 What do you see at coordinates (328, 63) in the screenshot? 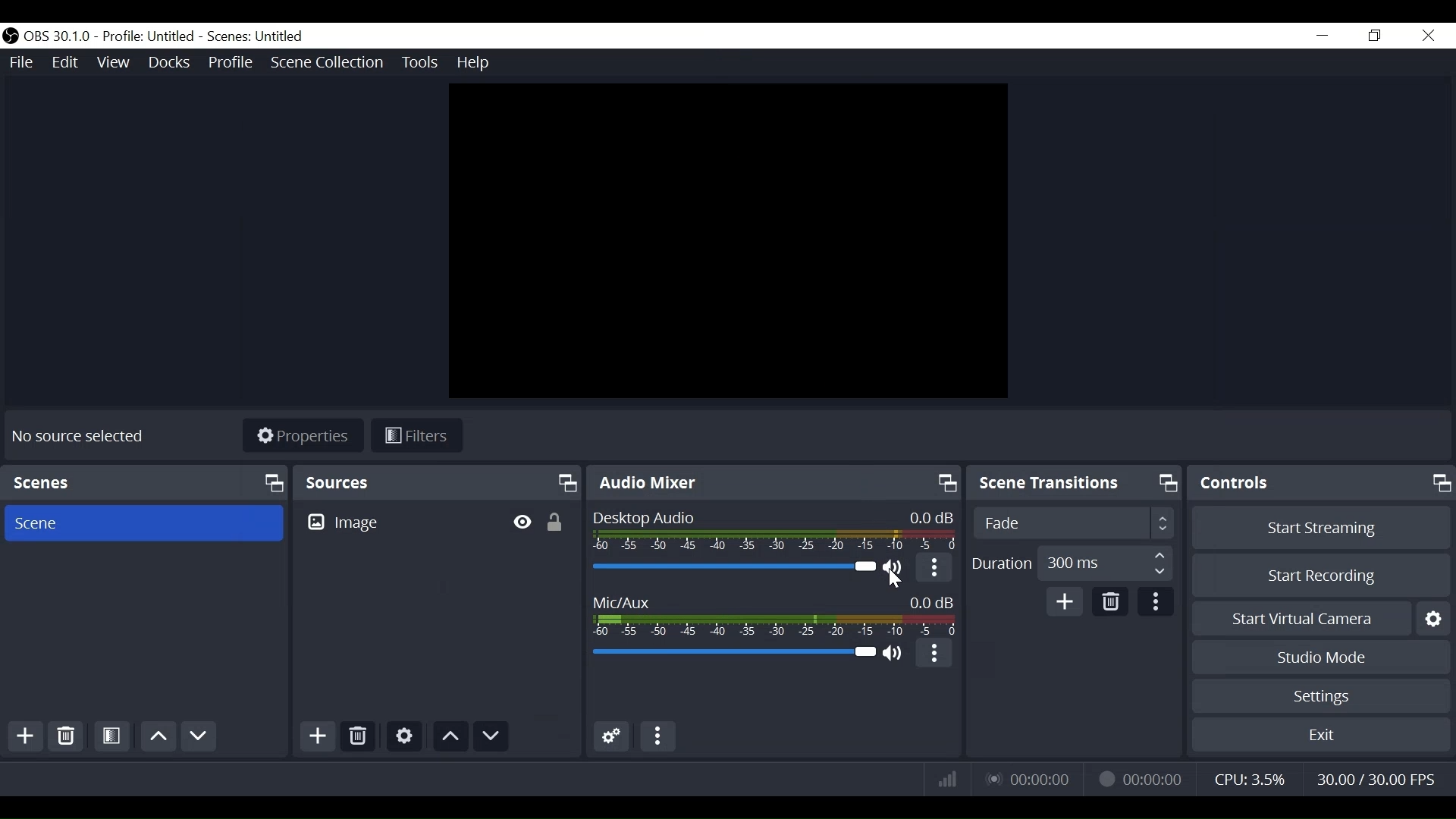
I see `Scene Collection` at bounding box center [328, 63].